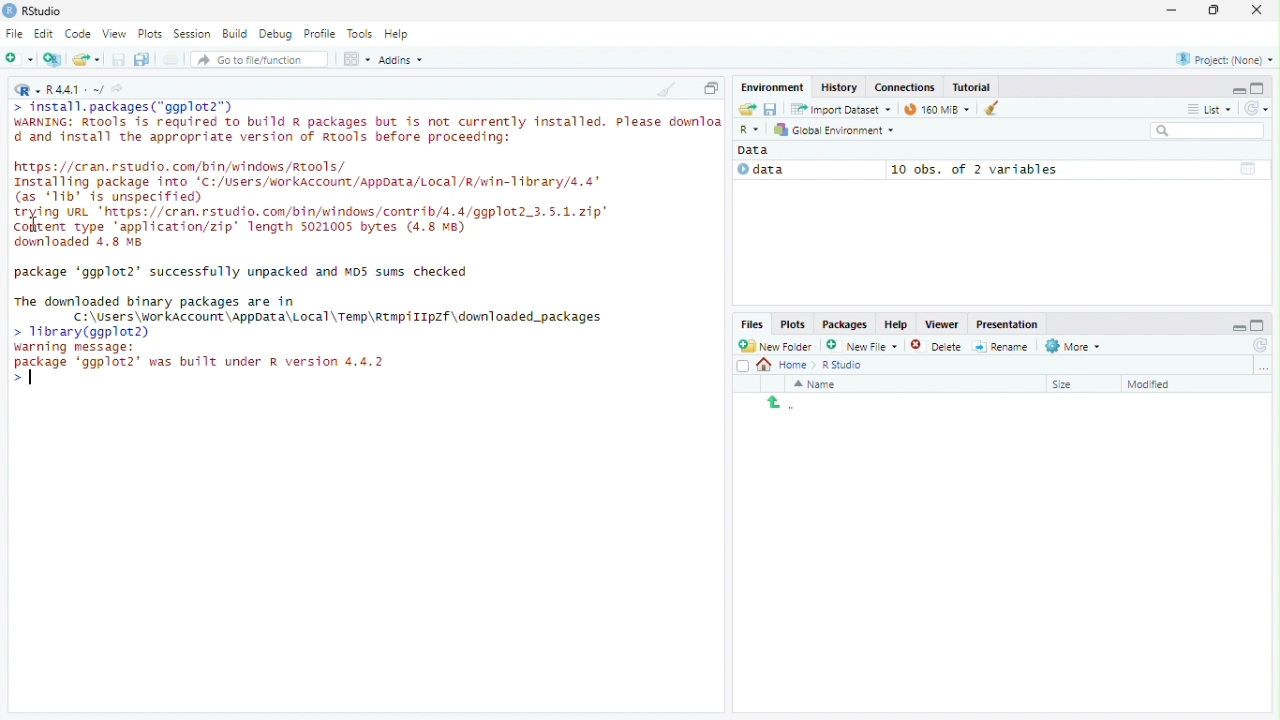 The image size is (1280, 720). What do you see at coordinates (401, 59) in the screenshot?
I see `Addins` at bounding box center [401, 59].